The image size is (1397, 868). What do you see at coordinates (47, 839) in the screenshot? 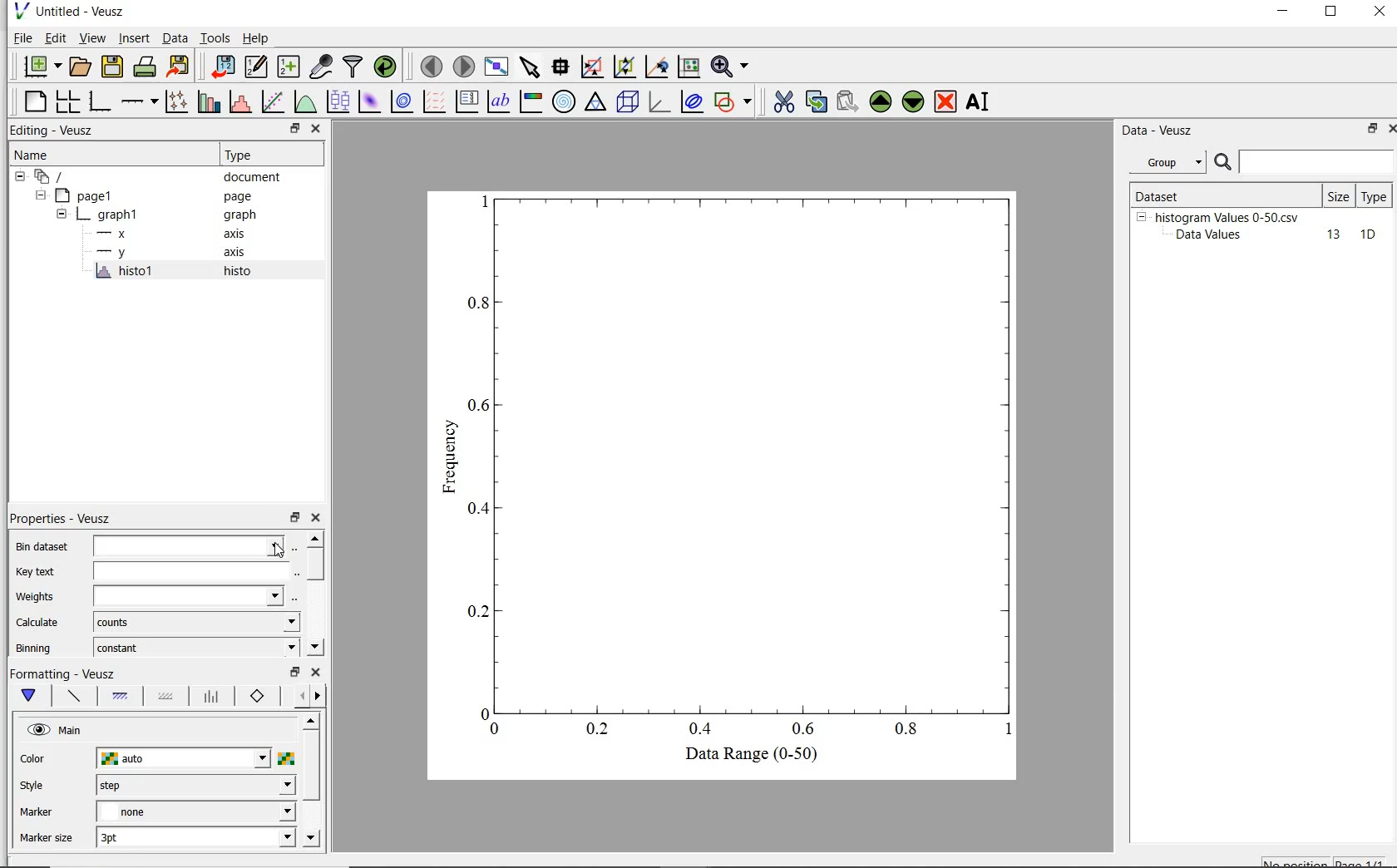
I see `‘Marker size` at bounding box center [47, 839].